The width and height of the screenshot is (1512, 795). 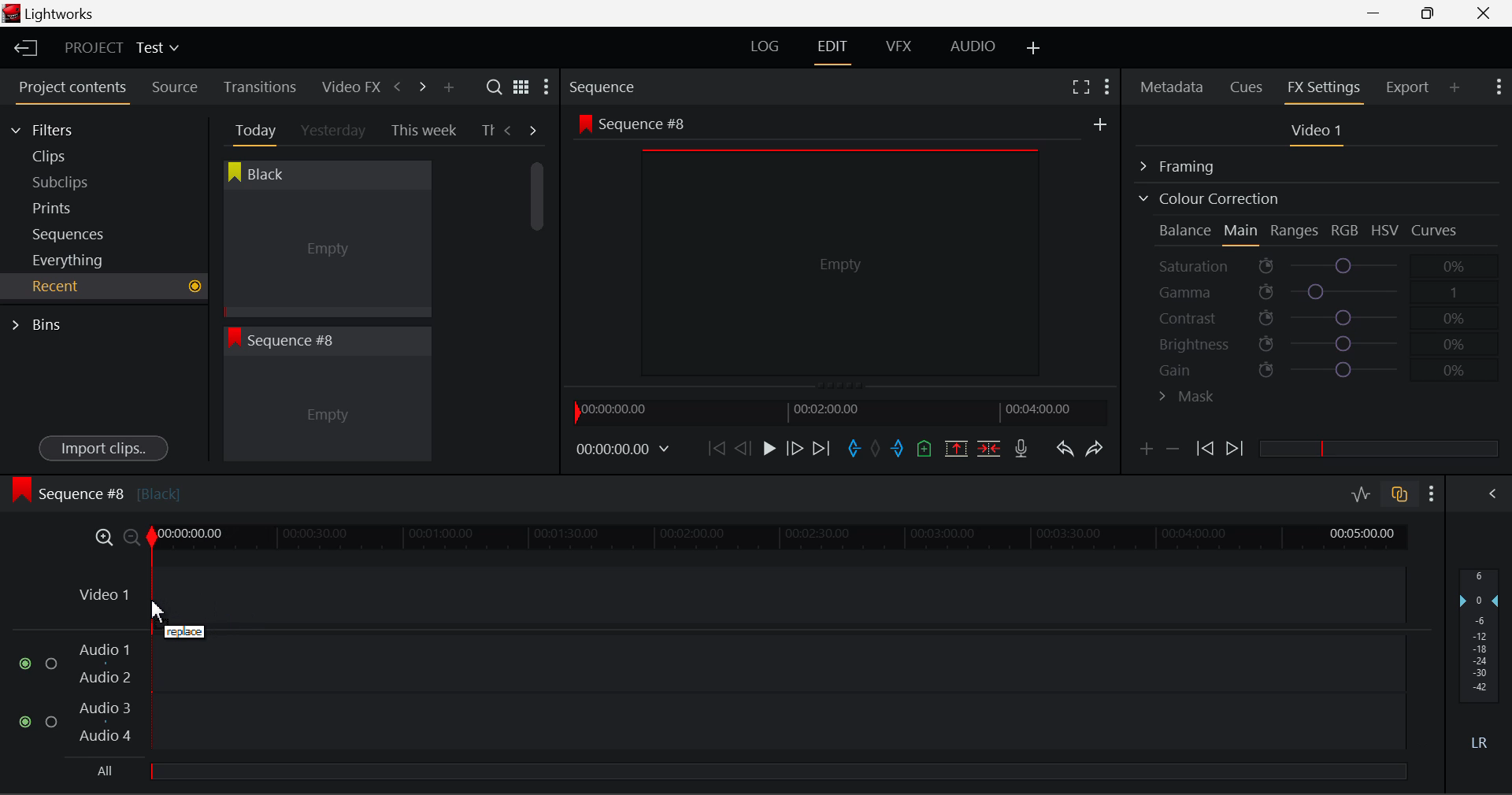 I want to click on Next Panel, so click(x=420, y=86).